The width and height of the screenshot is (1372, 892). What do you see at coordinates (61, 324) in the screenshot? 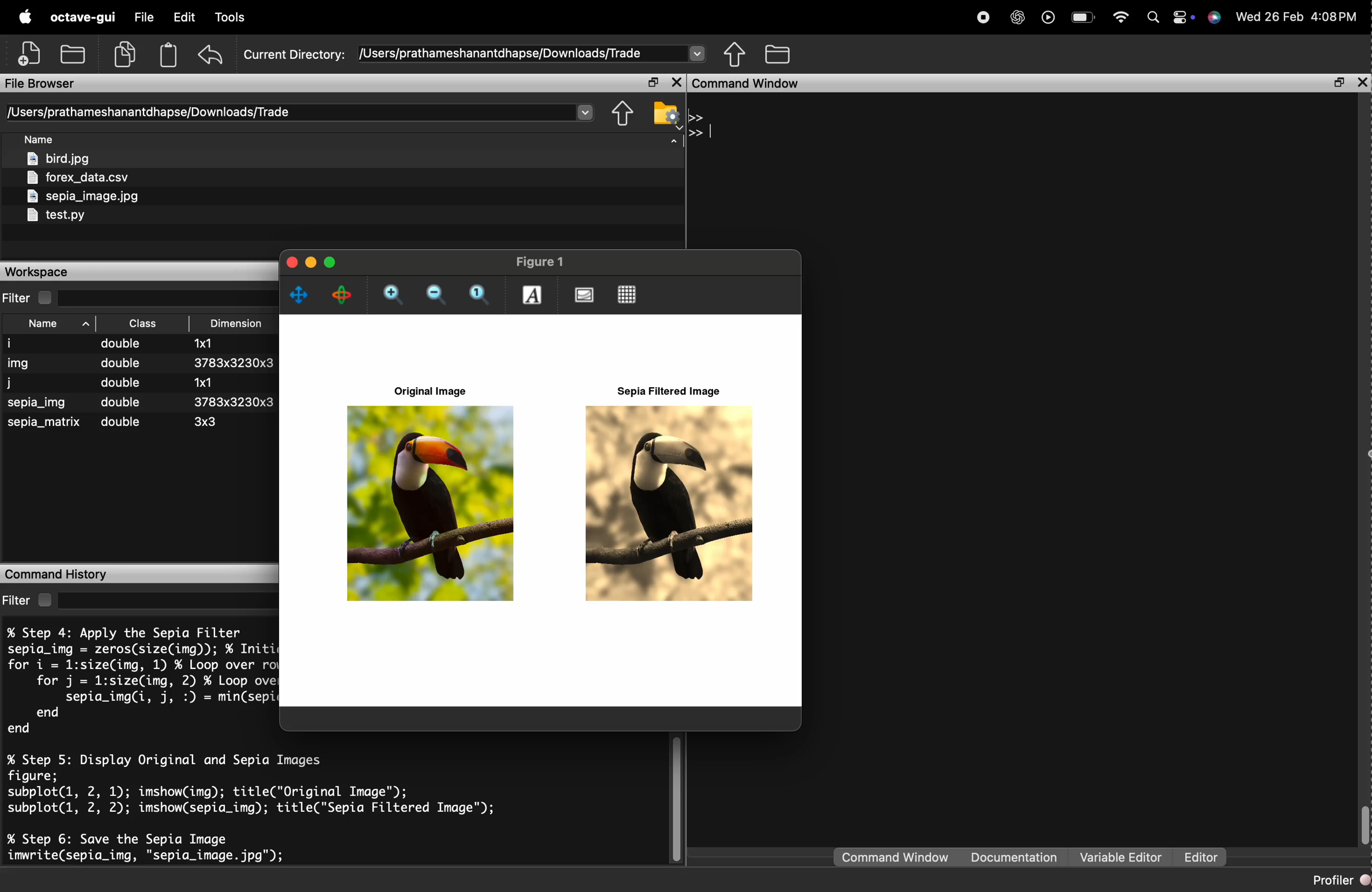
I see `Name ^` at bounding box center [61, 324].